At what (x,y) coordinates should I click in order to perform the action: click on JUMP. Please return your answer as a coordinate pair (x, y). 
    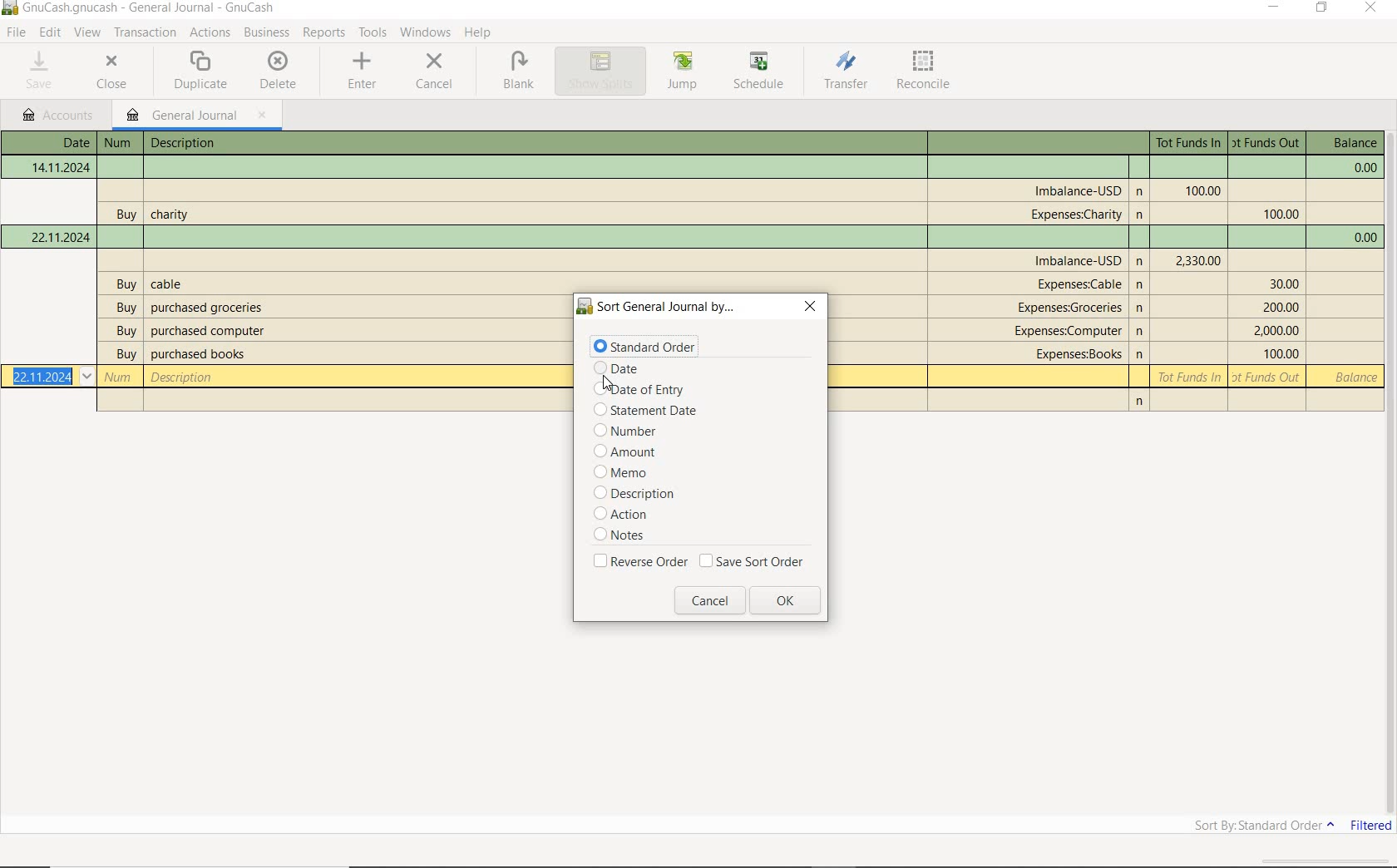
    Looking at the image, I should click on (683, 70).